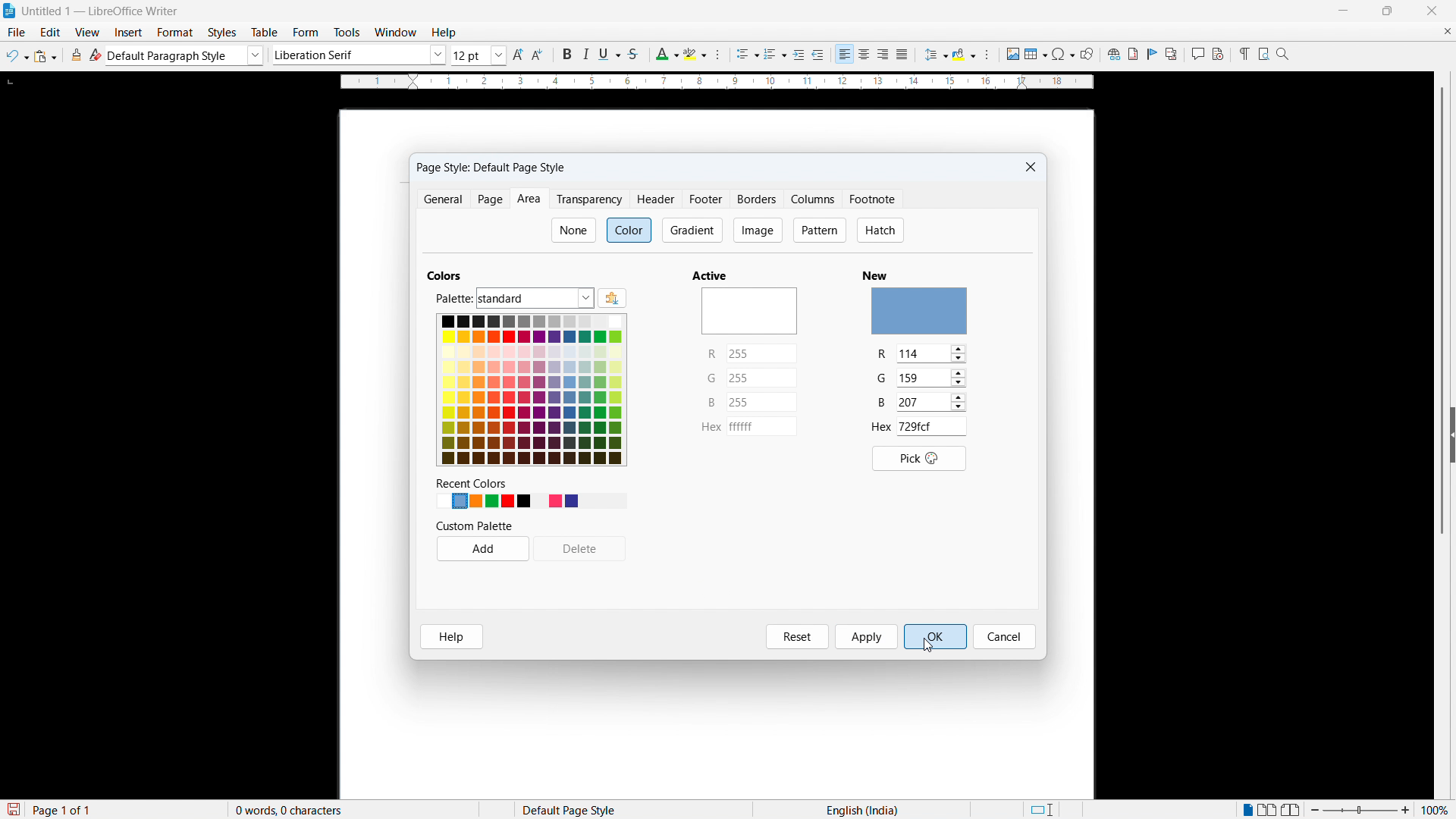 The width and height of the screenshot is (1456, 819). What do you see at coordinates (1218, 54) in the screenshot?
I see `Record track changes ` at bounding box center [1218, 54].